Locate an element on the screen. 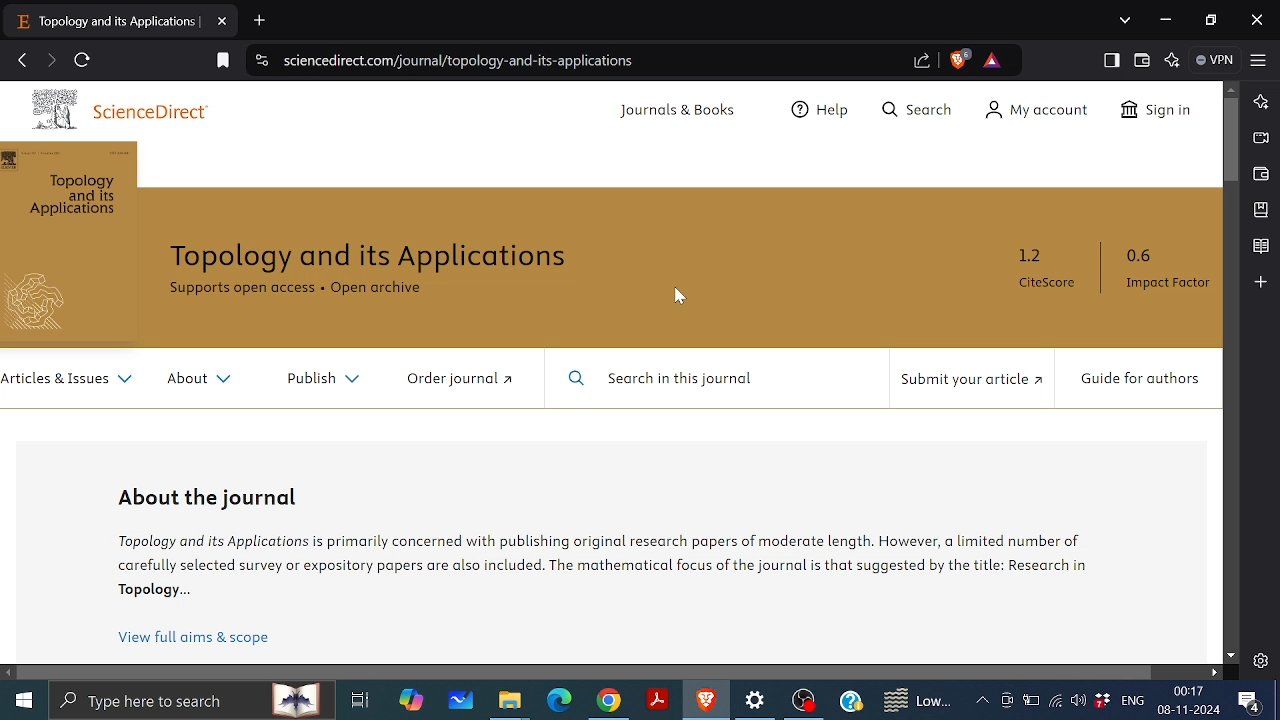  Search is located at coordinates (917, 109).